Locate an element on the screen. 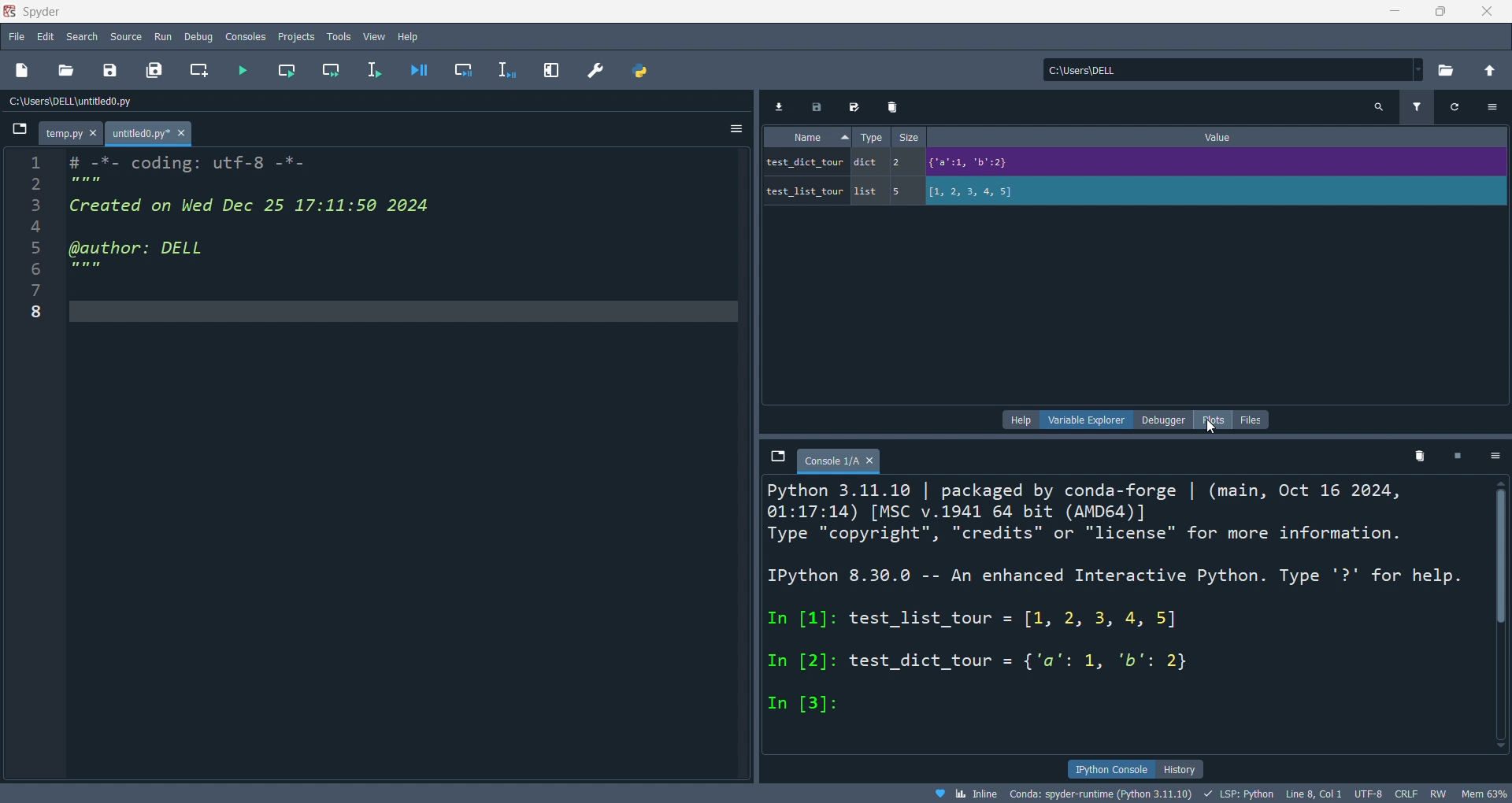 The image size is (1512, 803). files is located at coordinates (1251, 419).